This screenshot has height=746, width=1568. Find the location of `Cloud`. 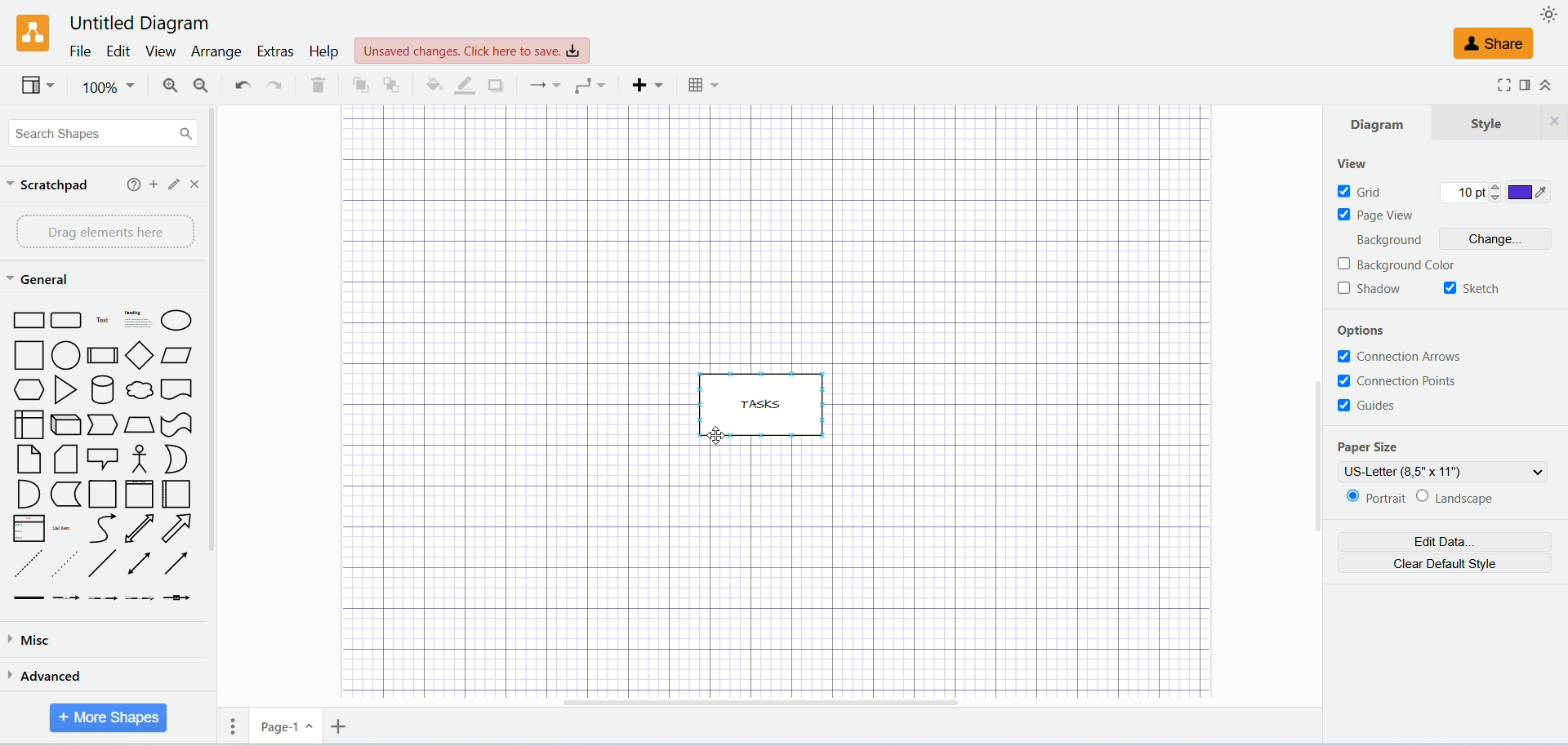

Cloud is located at coordinates (139, 389).